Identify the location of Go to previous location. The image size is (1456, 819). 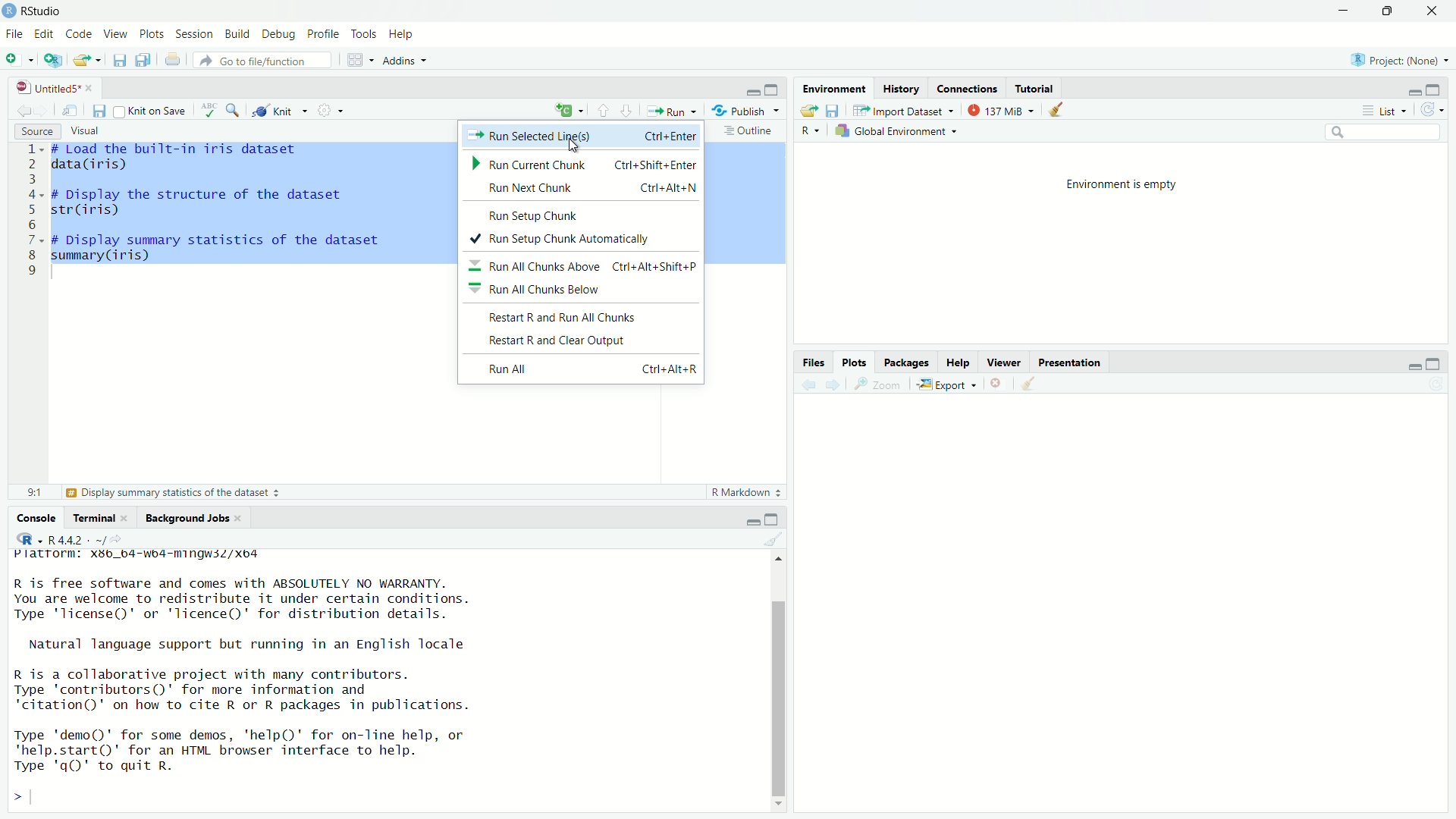
(24, 110).